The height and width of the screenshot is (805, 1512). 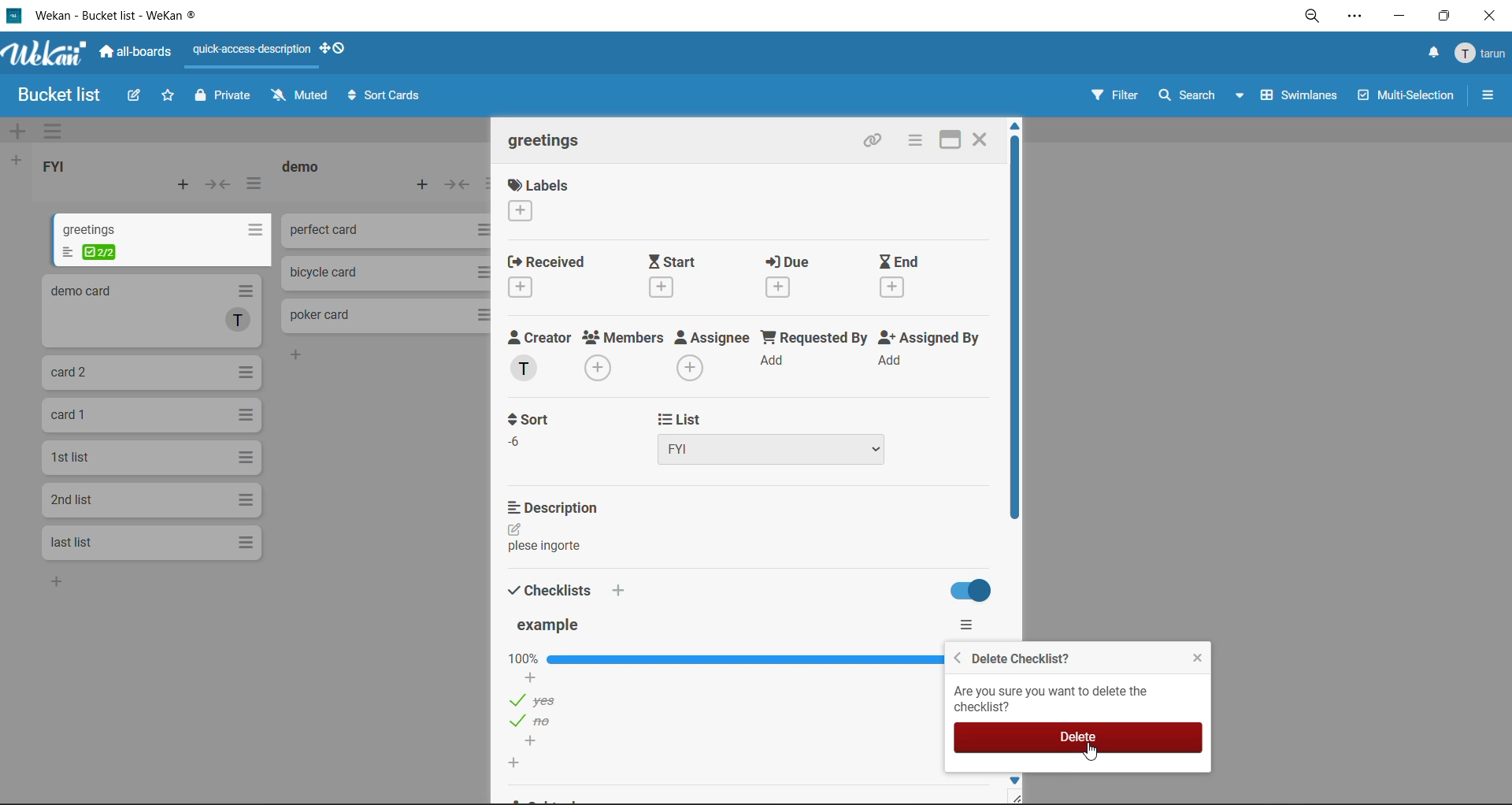 I want to click on checklists, so click(x=544, y=588).